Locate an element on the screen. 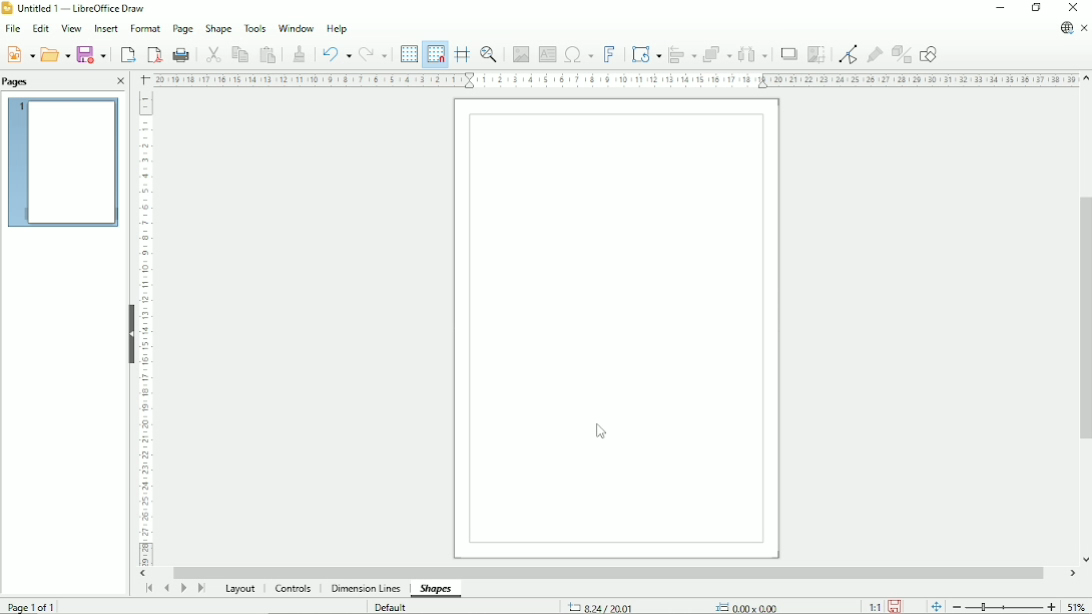 Image resolution: width=1092 pixels, height=614 pixels. Restore down is located at coordinates (1036, 8).